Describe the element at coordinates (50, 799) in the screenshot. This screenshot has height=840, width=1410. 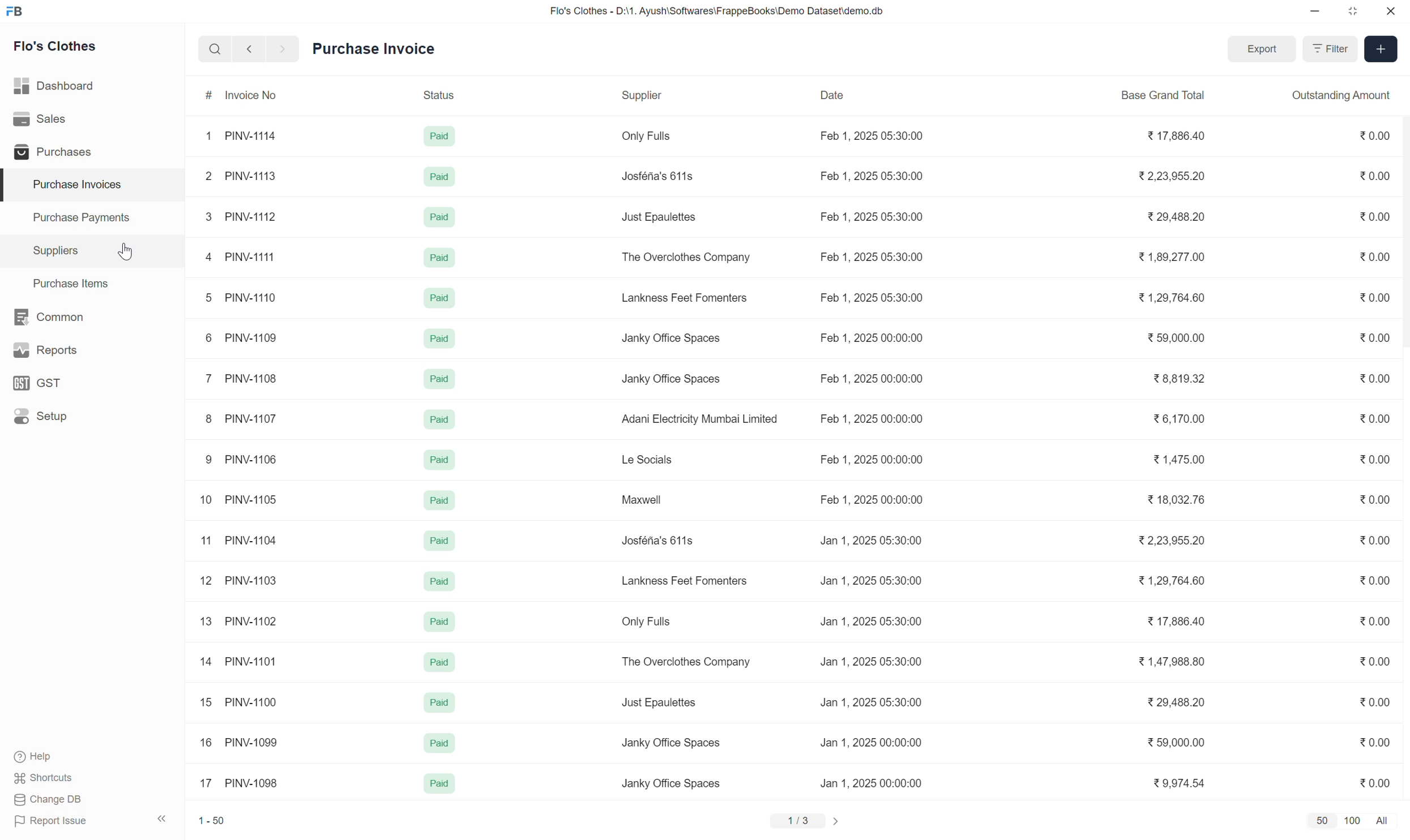
I see `Change DB` at that location.